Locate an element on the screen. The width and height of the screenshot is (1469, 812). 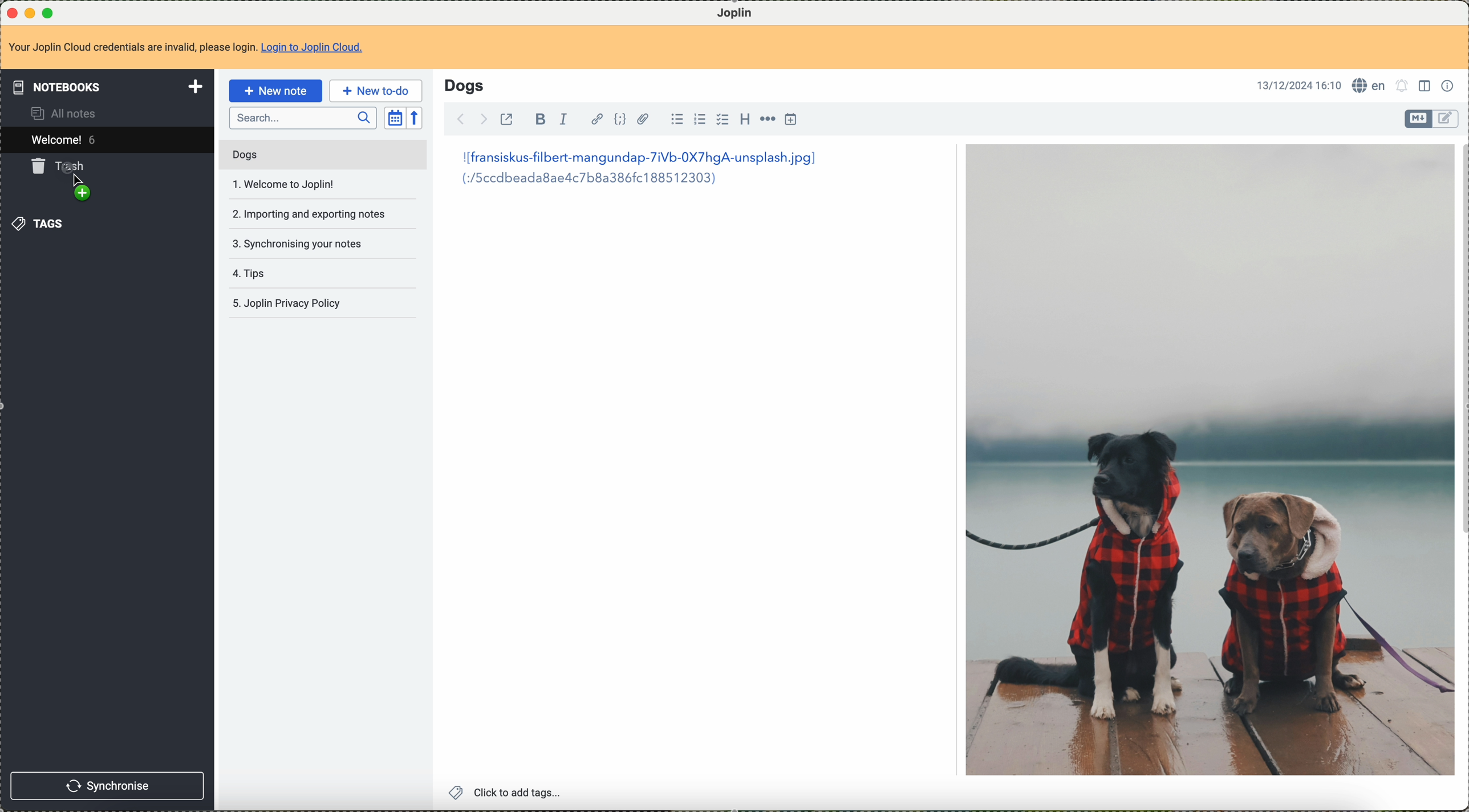
all notes is located at coordinates (66, 113).